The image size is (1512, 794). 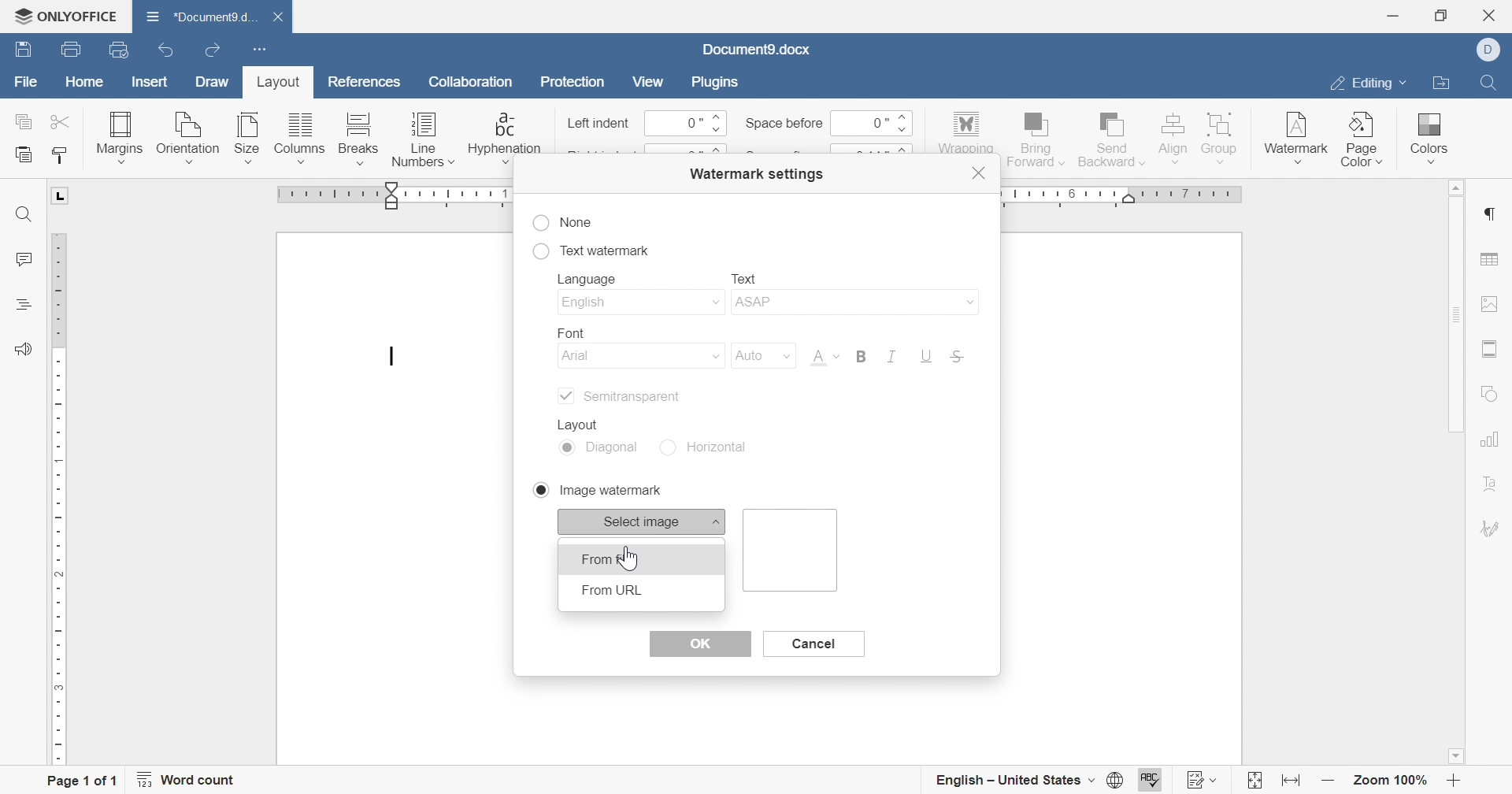 I want to click on left indent, so click(x=599, y=124).